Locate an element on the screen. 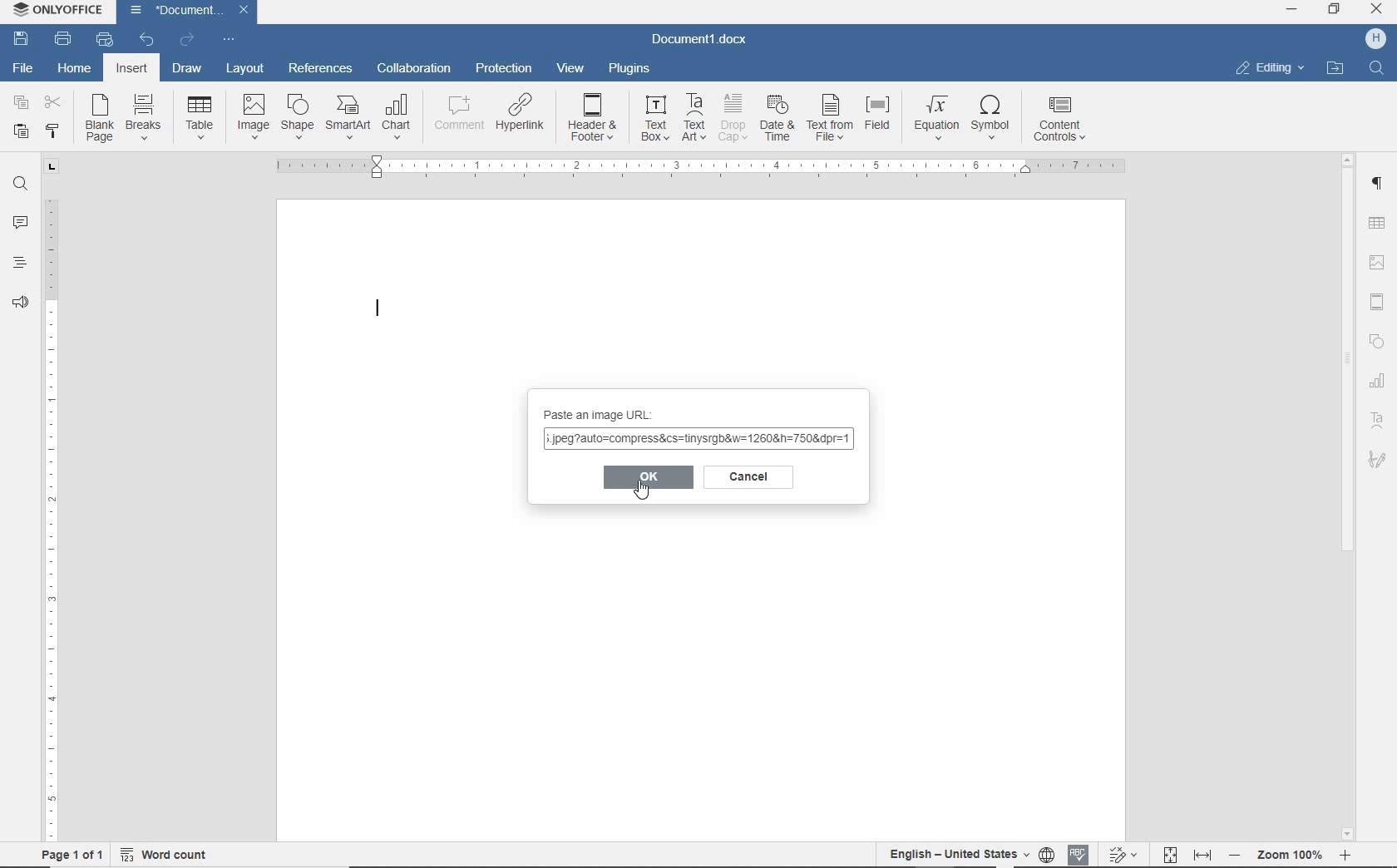 This screenshot has height=868, width=1397. table is located at coordinates (201, 119).